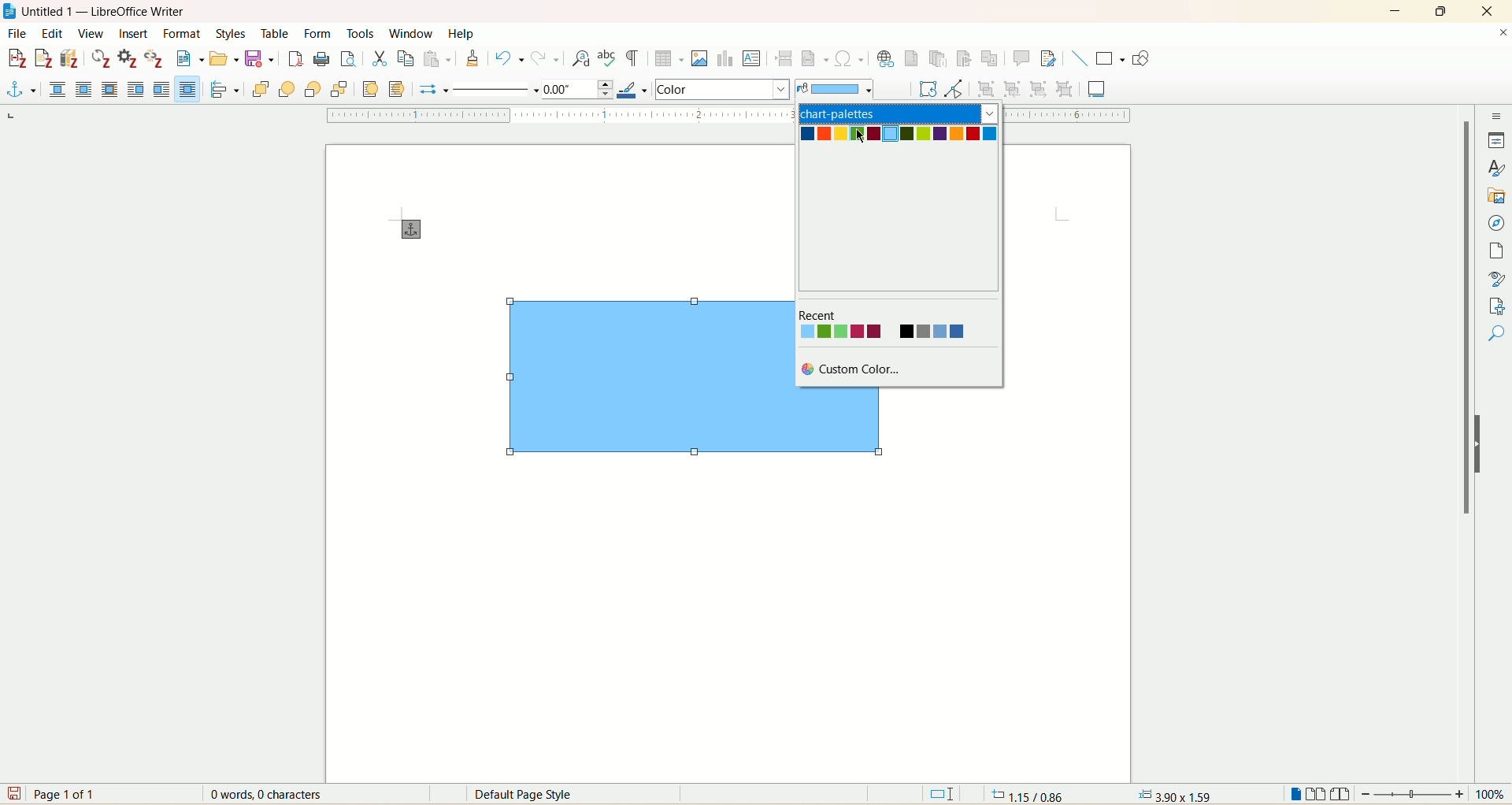 The height and width of the screenshot is (805, 1512). Describe the element at coordinates (1435, 795) in the screenshot. I see `zoom factor` at that location.